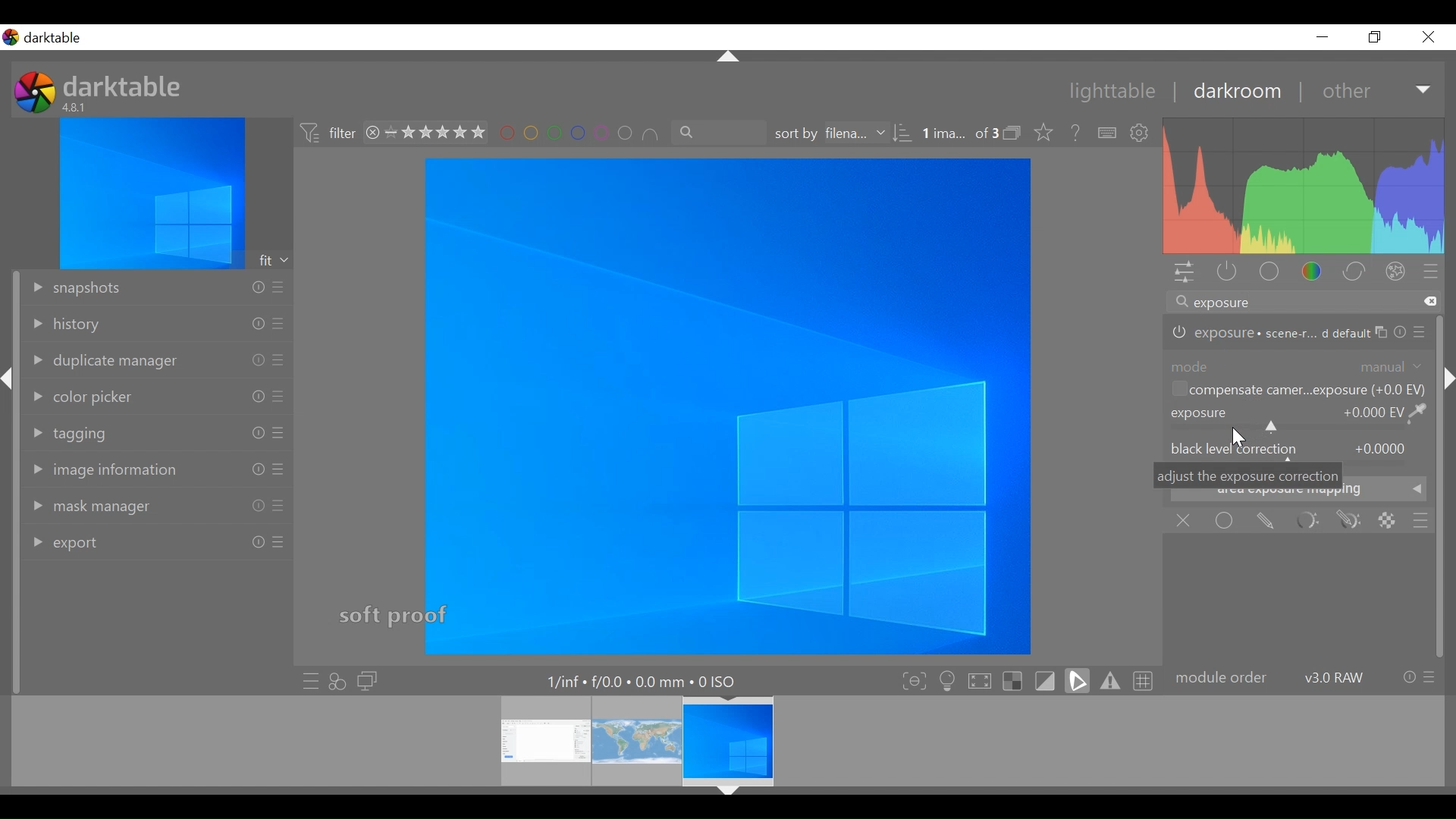 This screenshot has width=1456, height=819. I want to click on blending options, so click(1421, 520).